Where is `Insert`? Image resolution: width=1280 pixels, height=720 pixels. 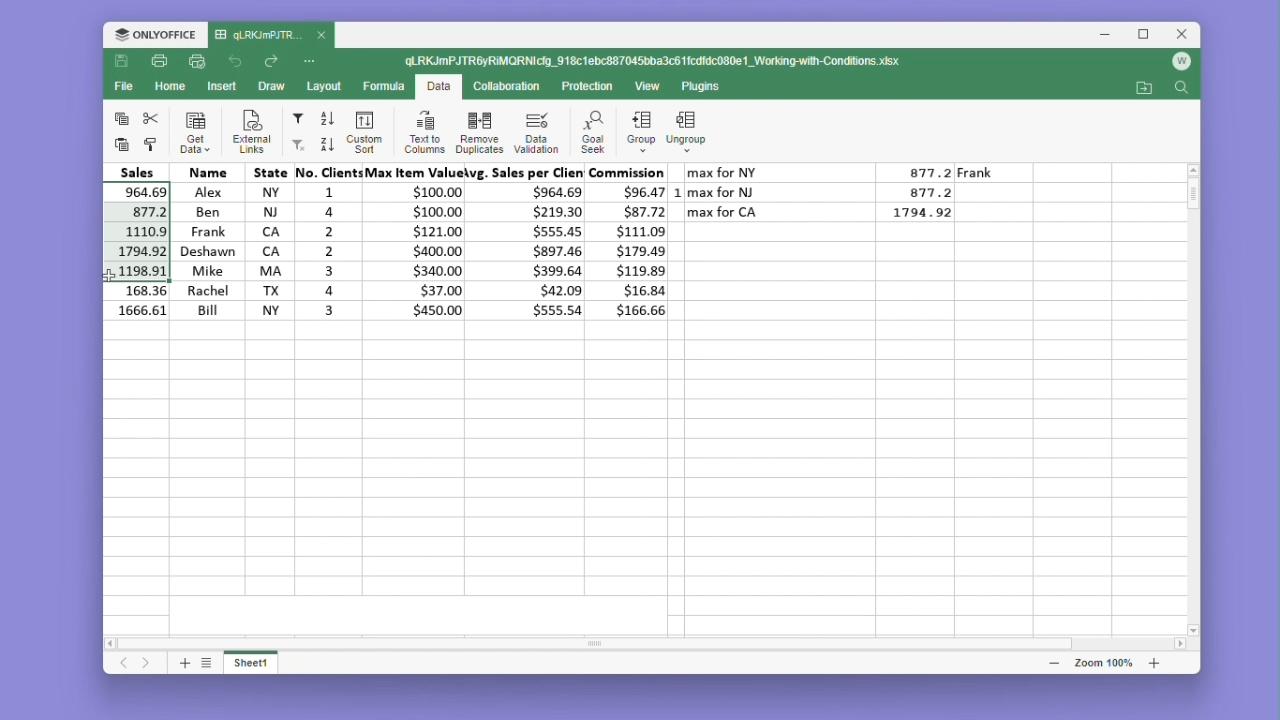
Insert is located at coordinates (222, 85).